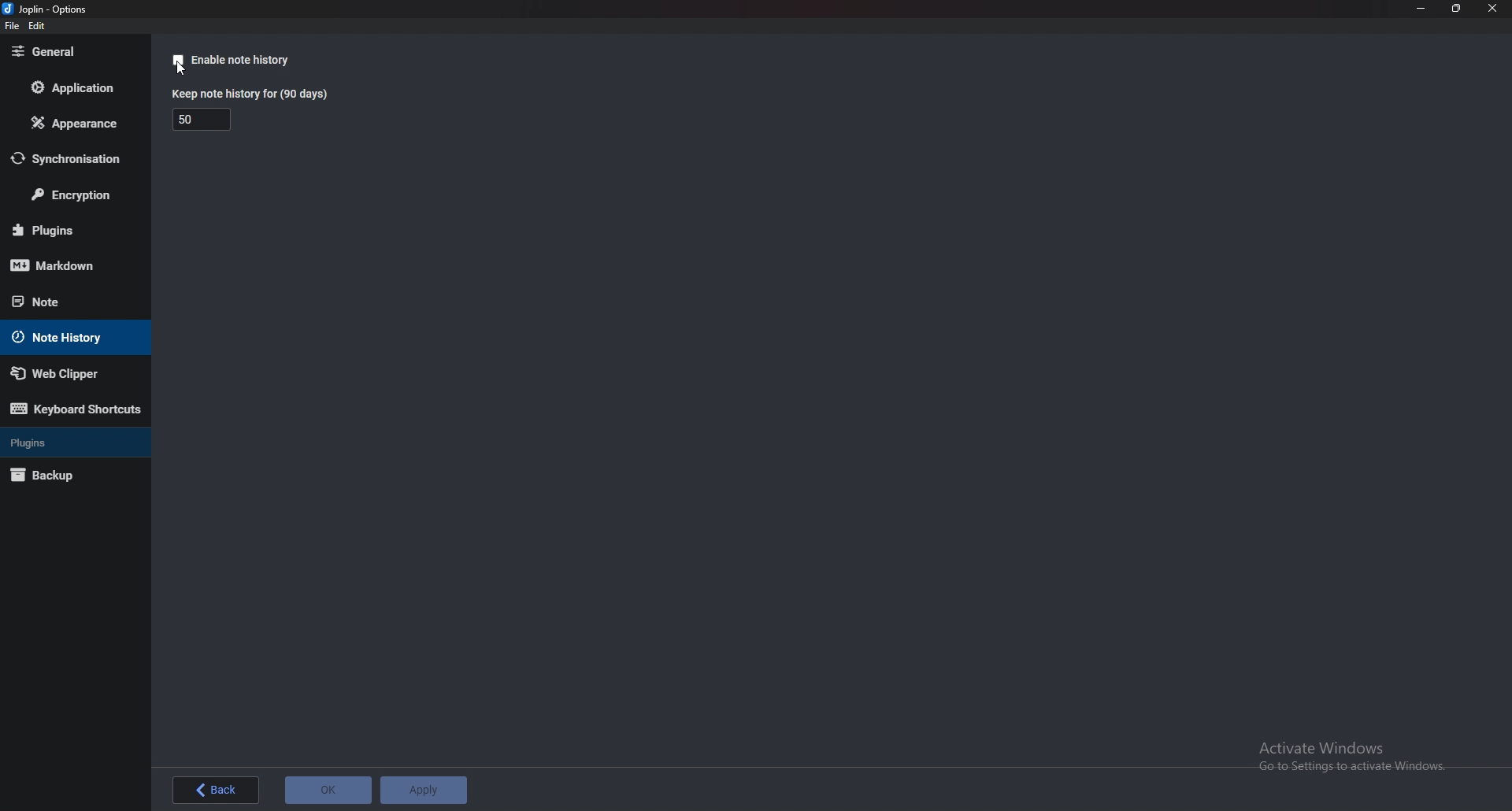 This screenshot has width=1512, height=811. What do you see at coordinates (1493, 8) in the screenshot?
I see `close` at bounding box center [1493, 8].